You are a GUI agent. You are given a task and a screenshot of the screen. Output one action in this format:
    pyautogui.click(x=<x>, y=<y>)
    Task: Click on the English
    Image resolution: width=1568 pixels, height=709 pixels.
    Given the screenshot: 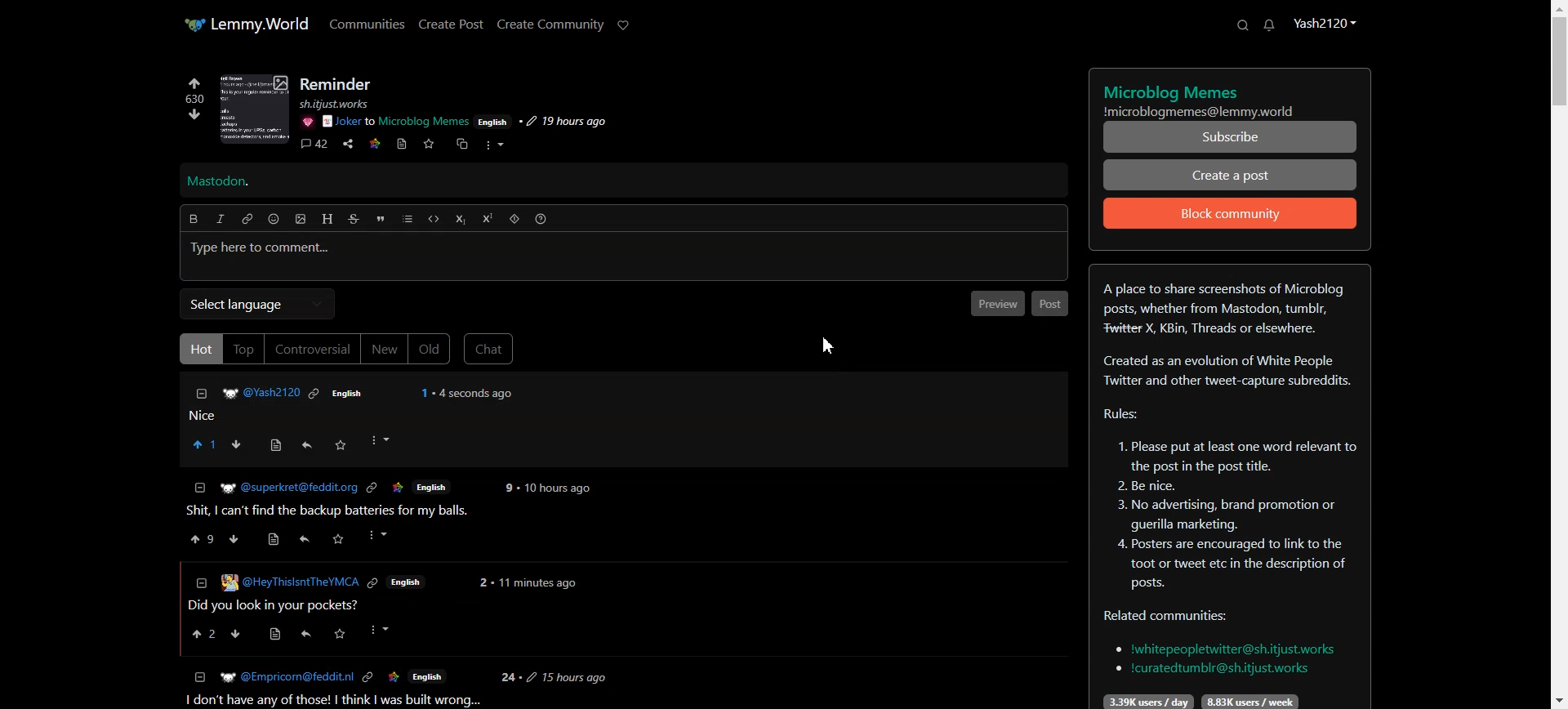 What is the action you would take?
    pyautogui.click(x=399, y=488)
    